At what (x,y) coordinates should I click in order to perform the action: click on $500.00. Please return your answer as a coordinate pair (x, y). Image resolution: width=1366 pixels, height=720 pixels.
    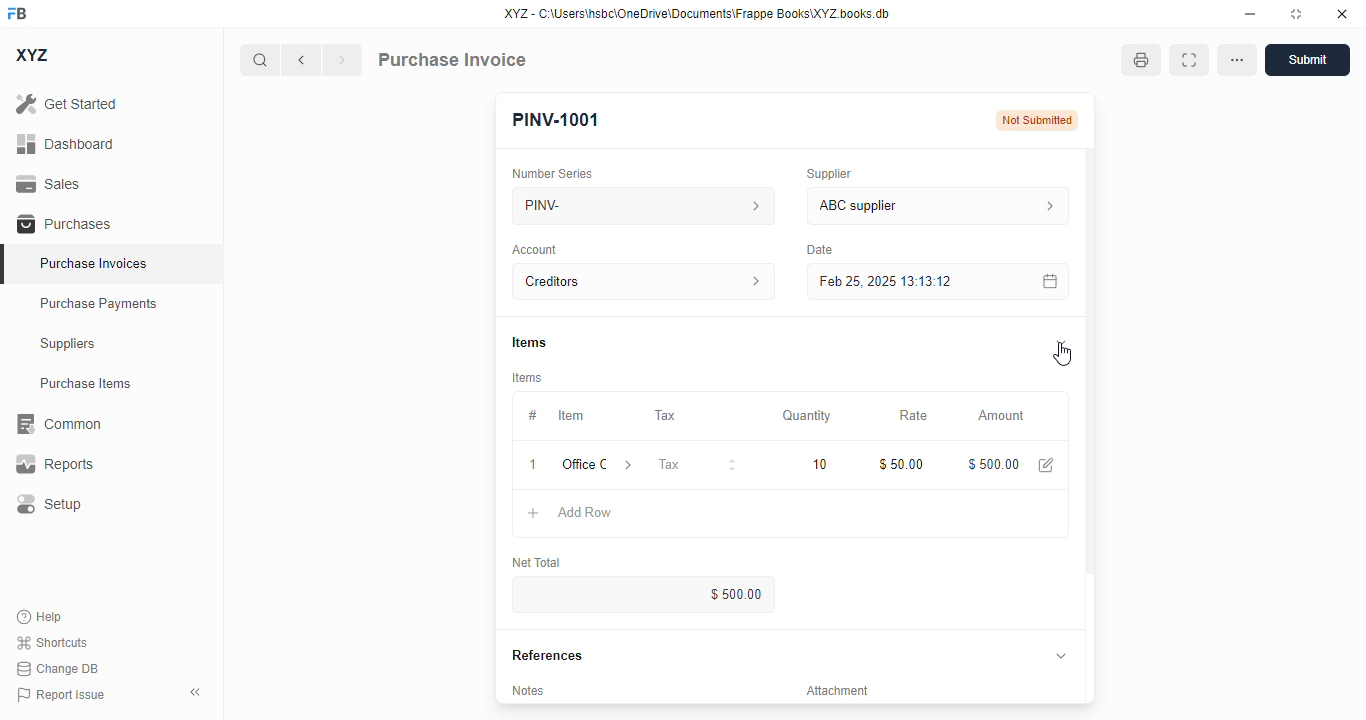
    Looking at the image, I should click on (645, 594).